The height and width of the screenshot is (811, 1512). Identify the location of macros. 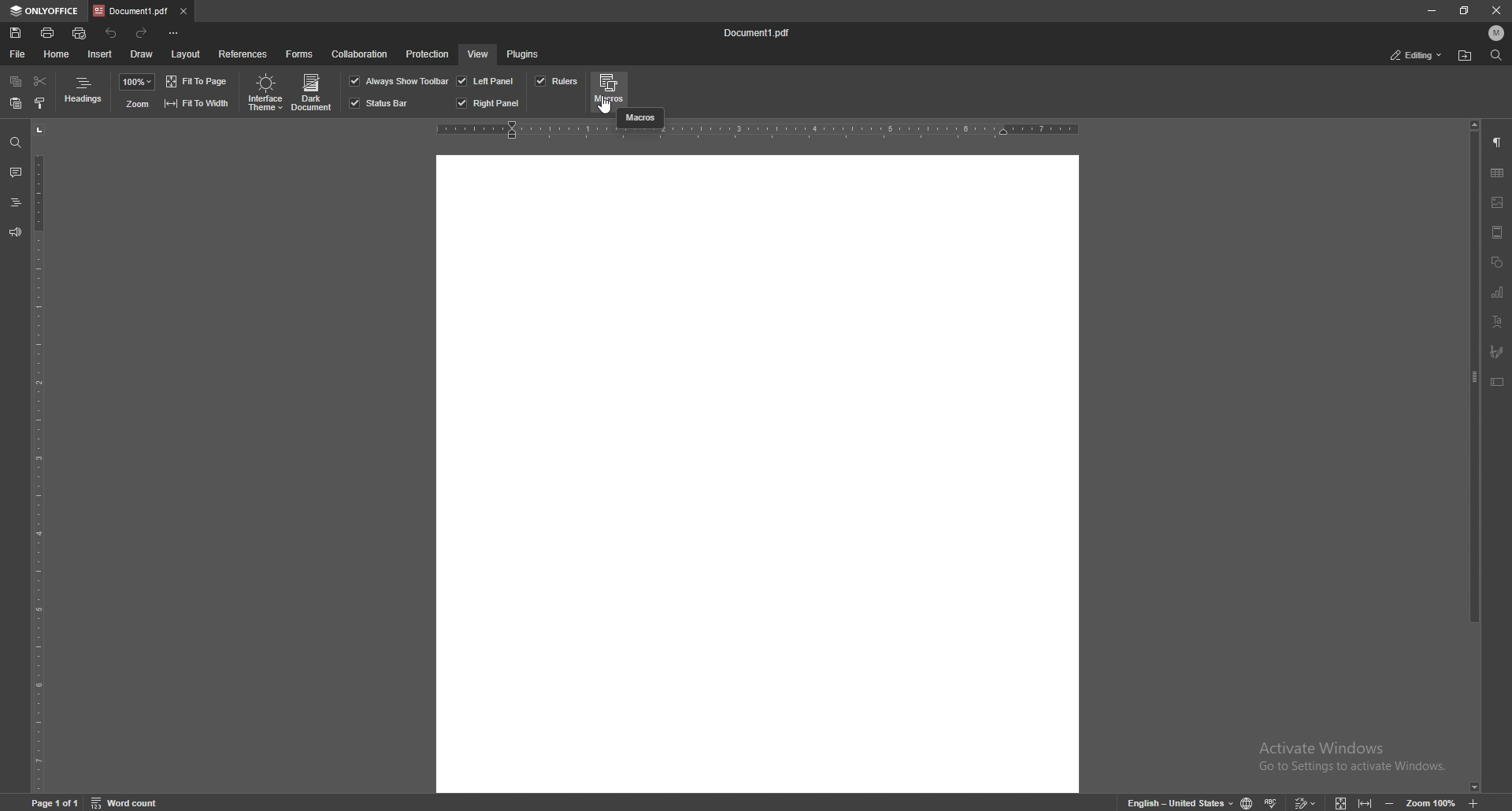
(609, 91).